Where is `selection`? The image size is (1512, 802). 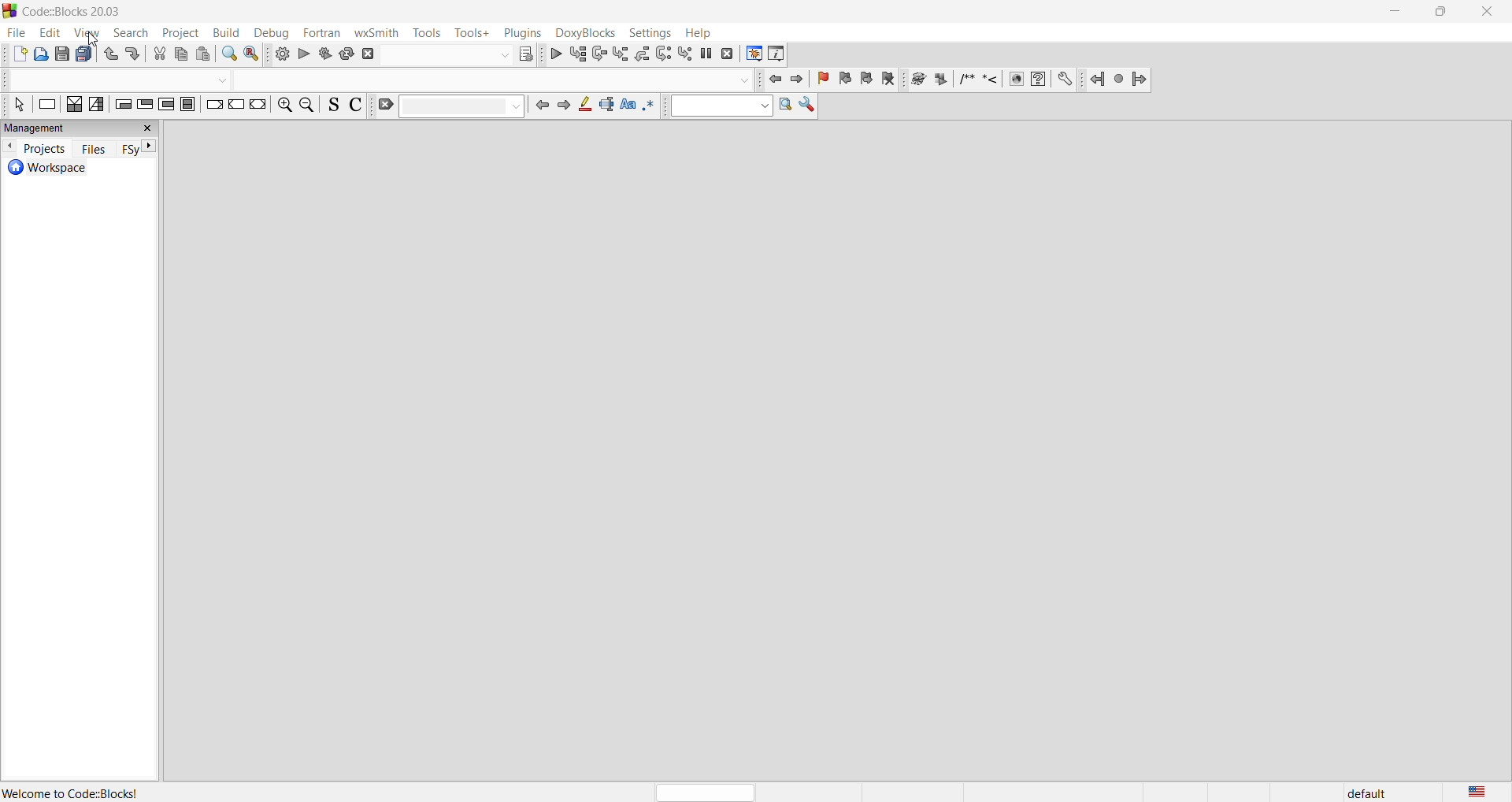 selection is located at coordinates (99, 106).